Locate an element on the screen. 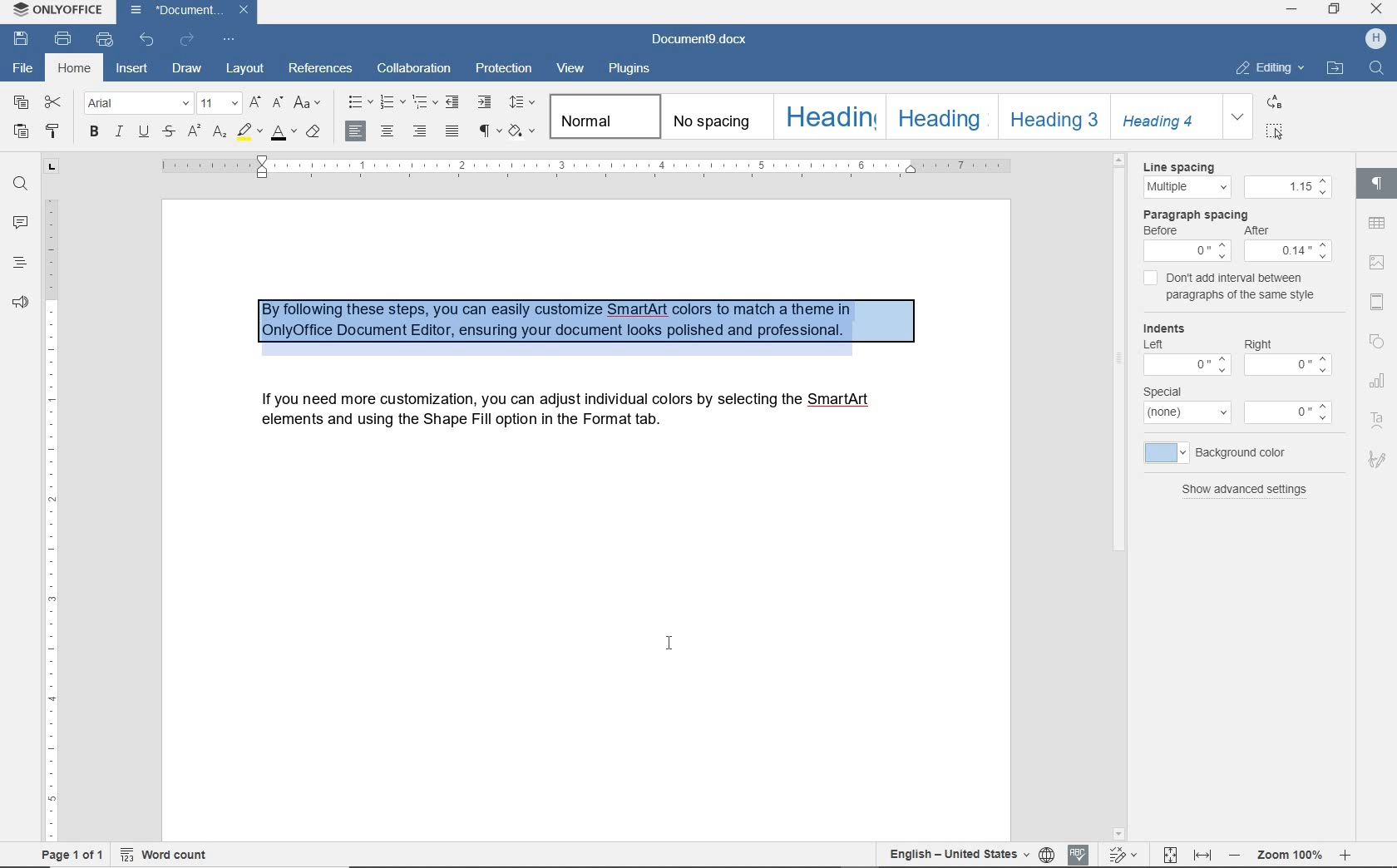  heading 3 is located at coordinates (1051, 116).